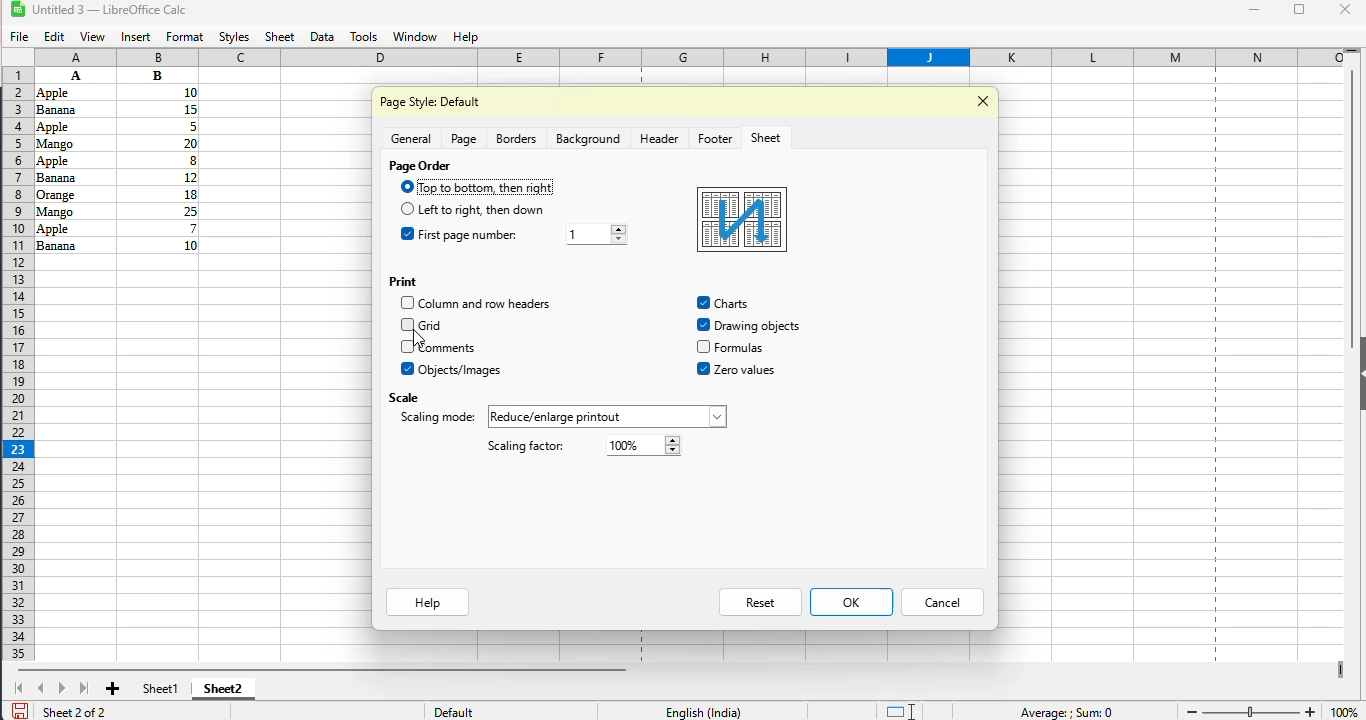 Image resolution: width=1366 pixels, height=720 pixels. What do you see at coordinates (420, 338) in the screenshot?
I see `cursor` at bounding box center [420, 338].